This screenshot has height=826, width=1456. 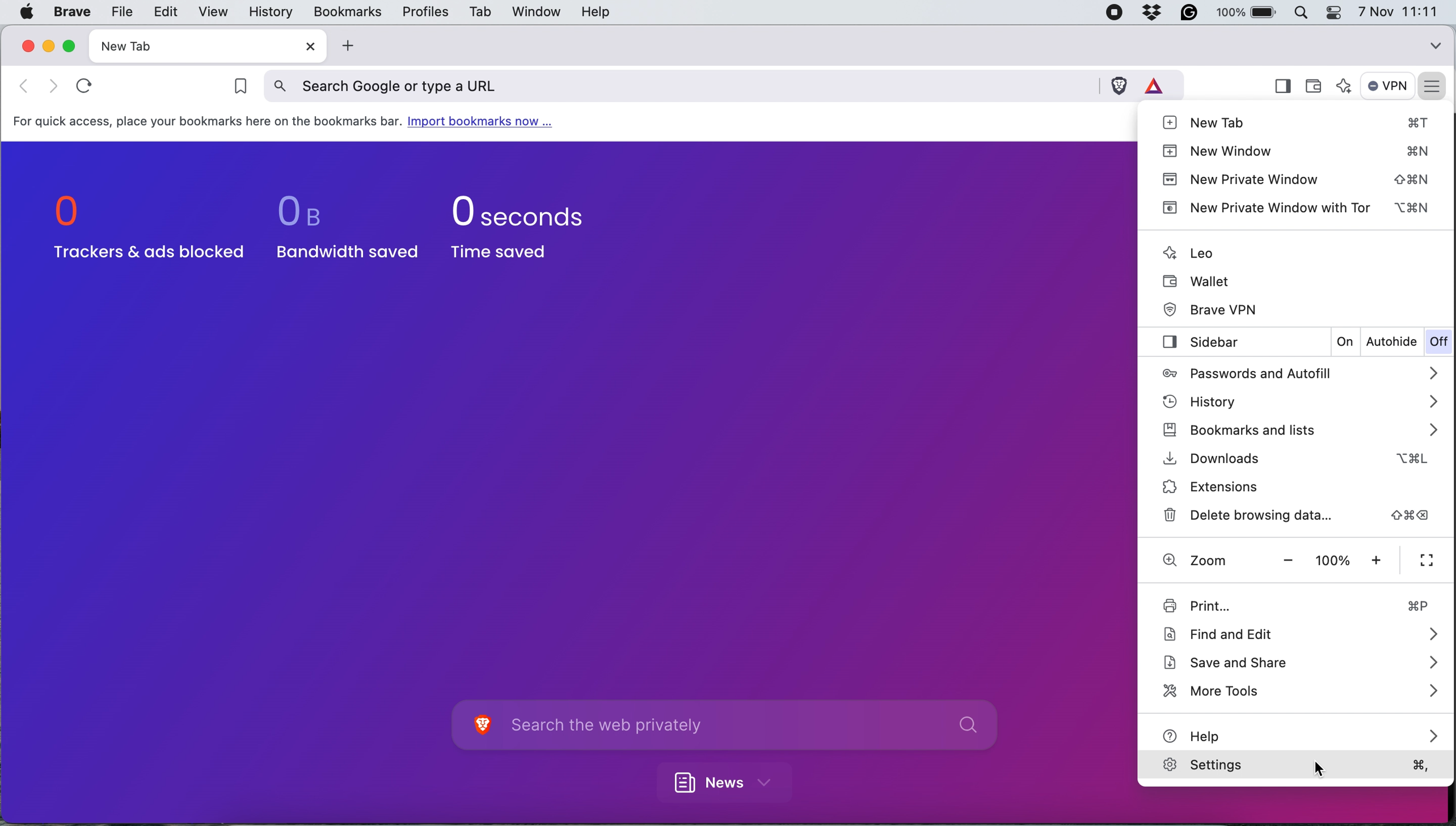 I want to click on new tab, so click(x=186, y=46).